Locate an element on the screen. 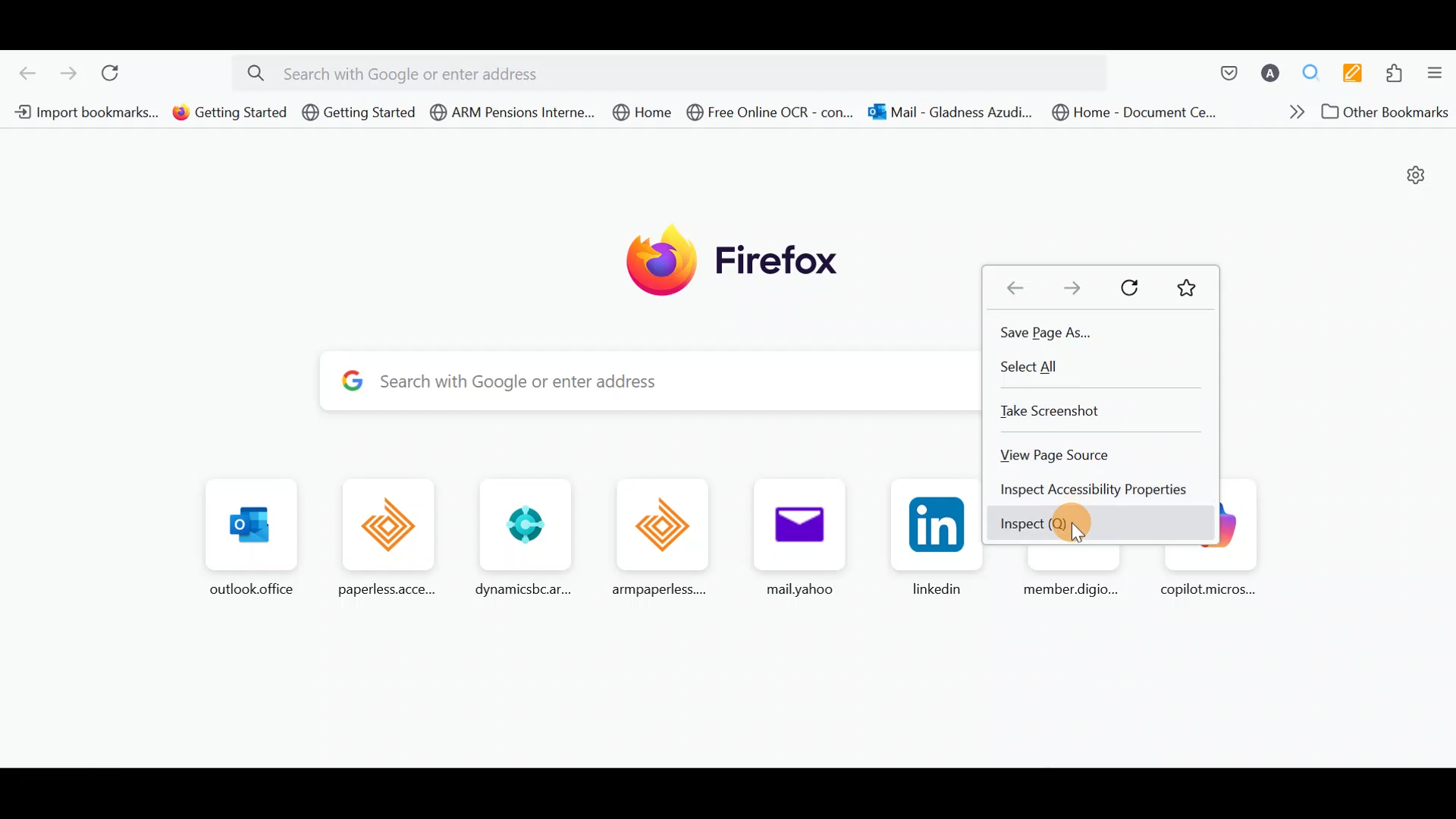 The height and width of the screenshot is (819, 1456). Save to pocket is located at coordinates (1227, 65).